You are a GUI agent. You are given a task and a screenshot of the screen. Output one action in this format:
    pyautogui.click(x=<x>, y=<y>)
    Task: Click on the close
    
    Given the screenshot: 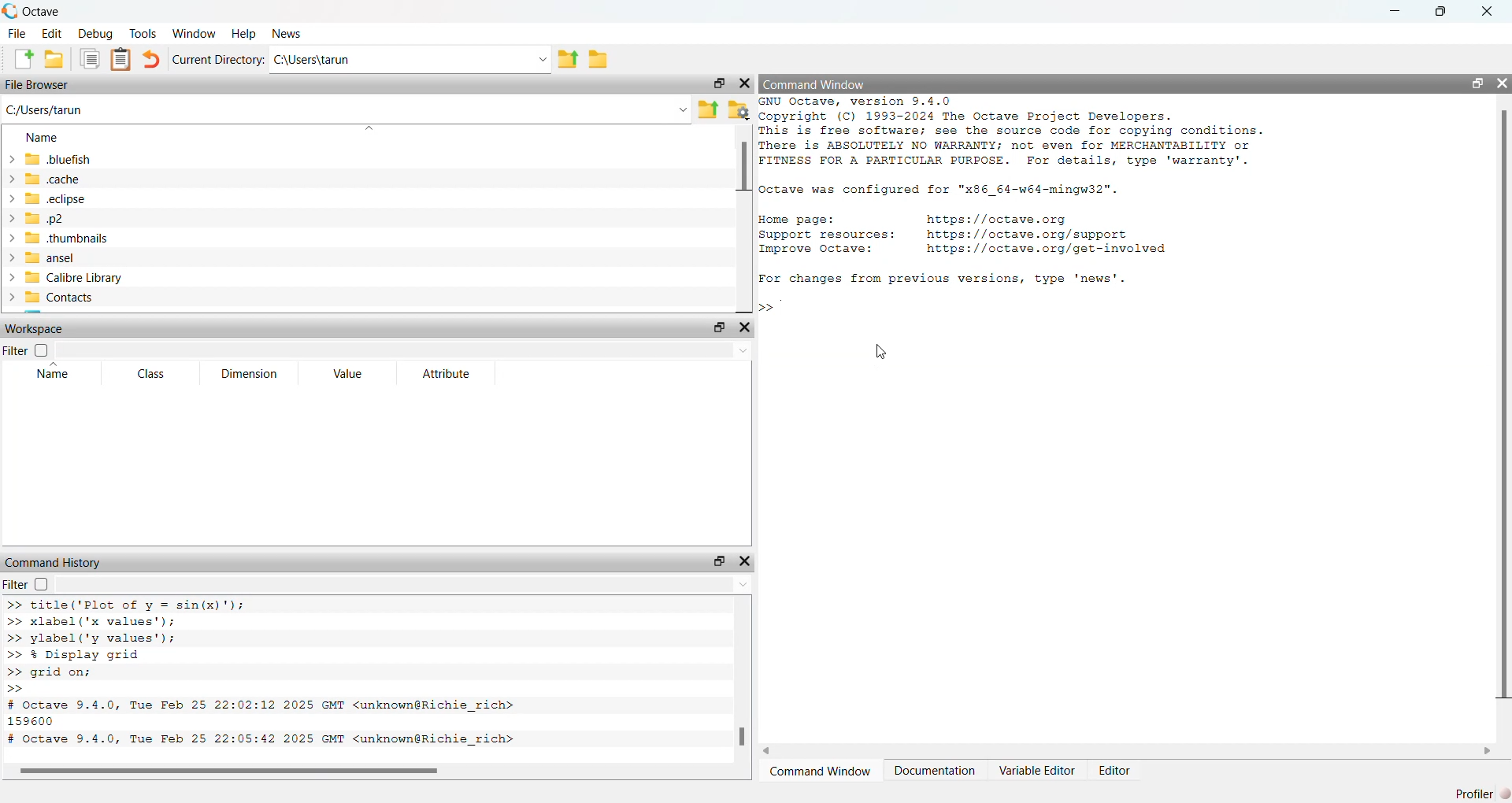 What is the action you would take?
    pyautogui.click(x=1502, y=83)
    